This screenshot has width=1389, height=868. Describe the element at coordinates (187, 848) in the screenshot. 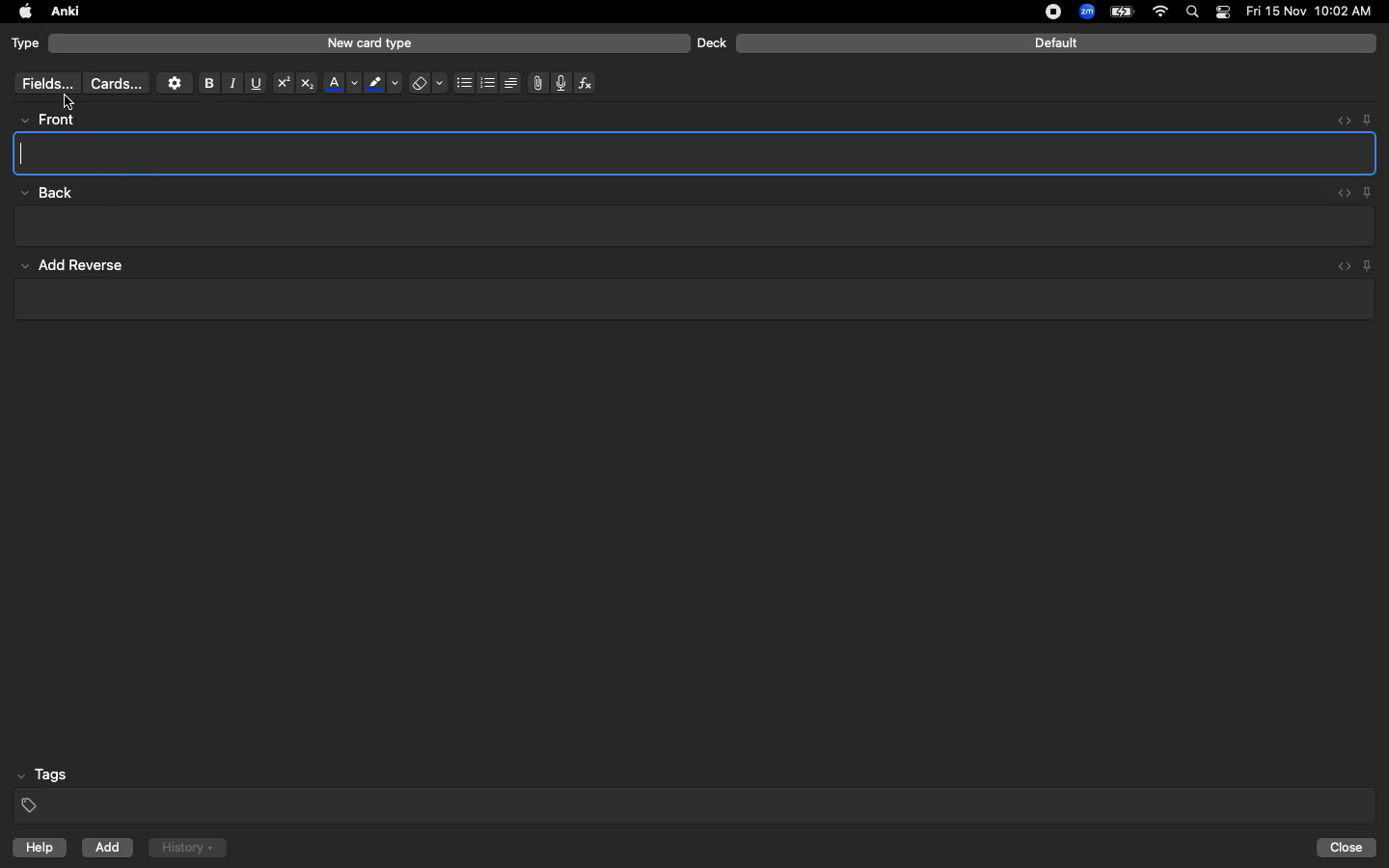

I see `History` at that location.